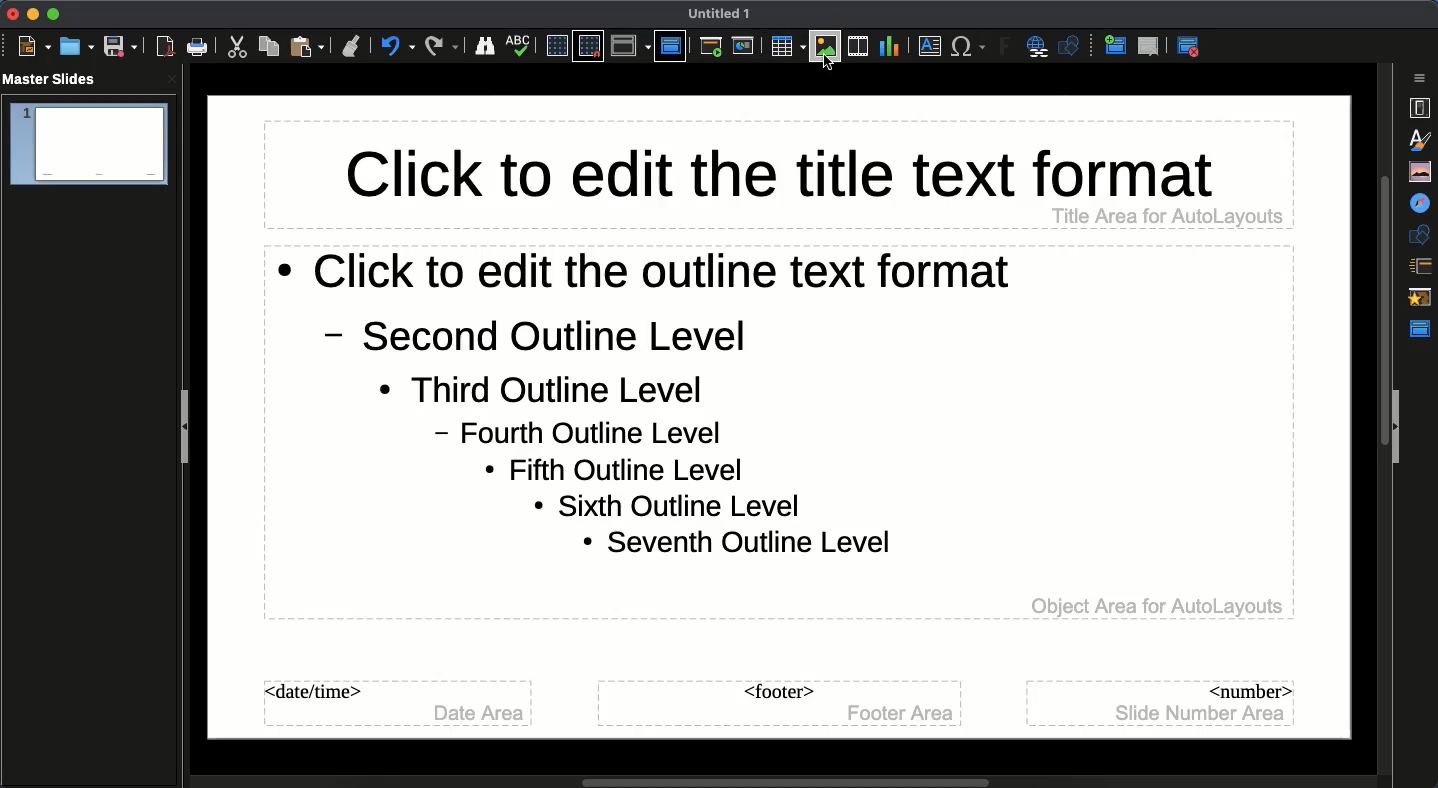  What do you see at coordinates (198, 47) in the screenshot?
I see `Print` at bounding box center [198, 47].